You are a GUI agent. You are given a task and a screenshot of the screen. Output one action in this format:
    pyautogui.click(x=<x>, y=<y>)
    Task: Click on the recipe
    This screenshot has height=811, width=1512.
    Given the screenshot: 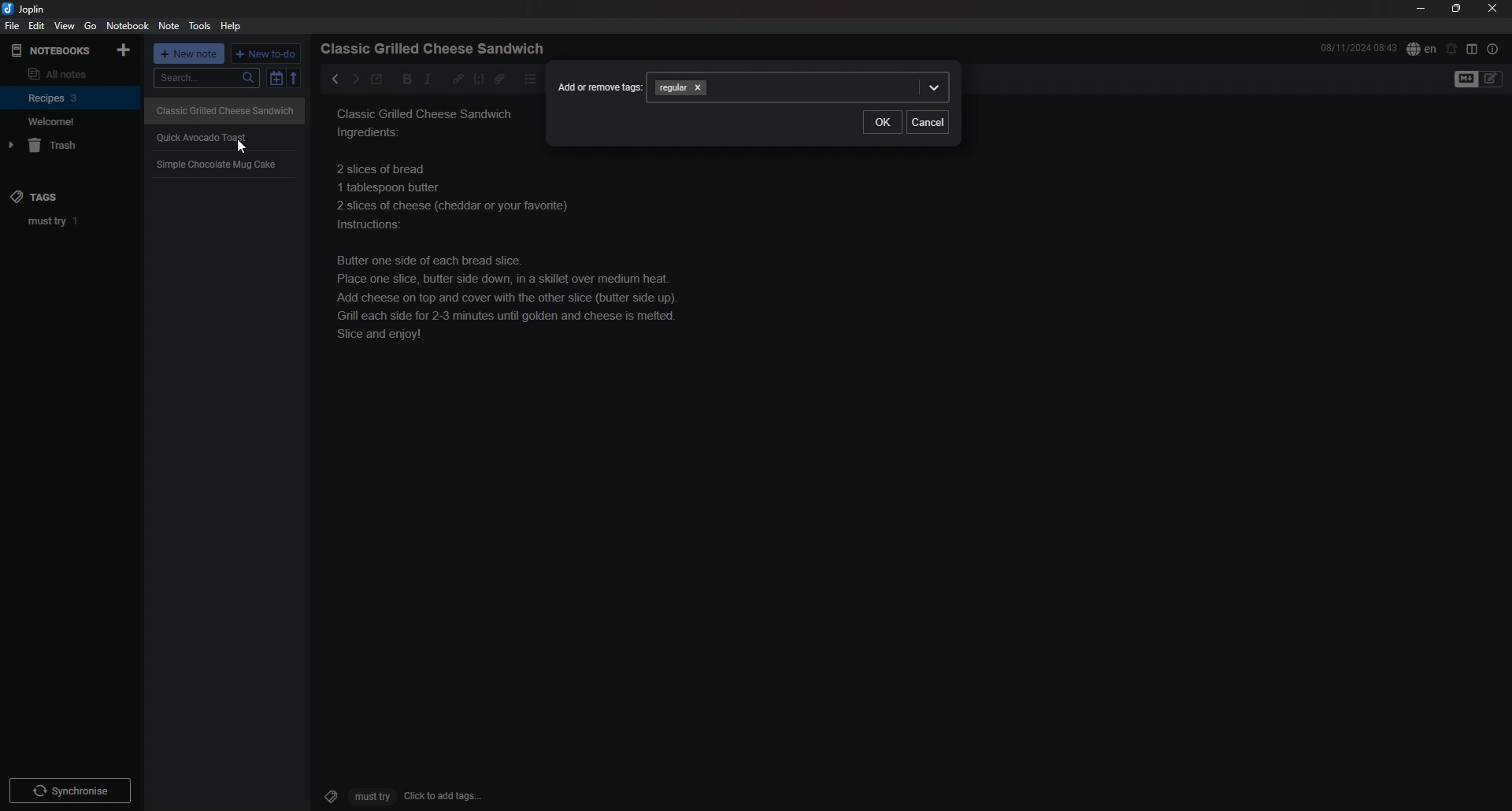 What is the action you would take?
    pyautogui.click(x=202, y=137)
    